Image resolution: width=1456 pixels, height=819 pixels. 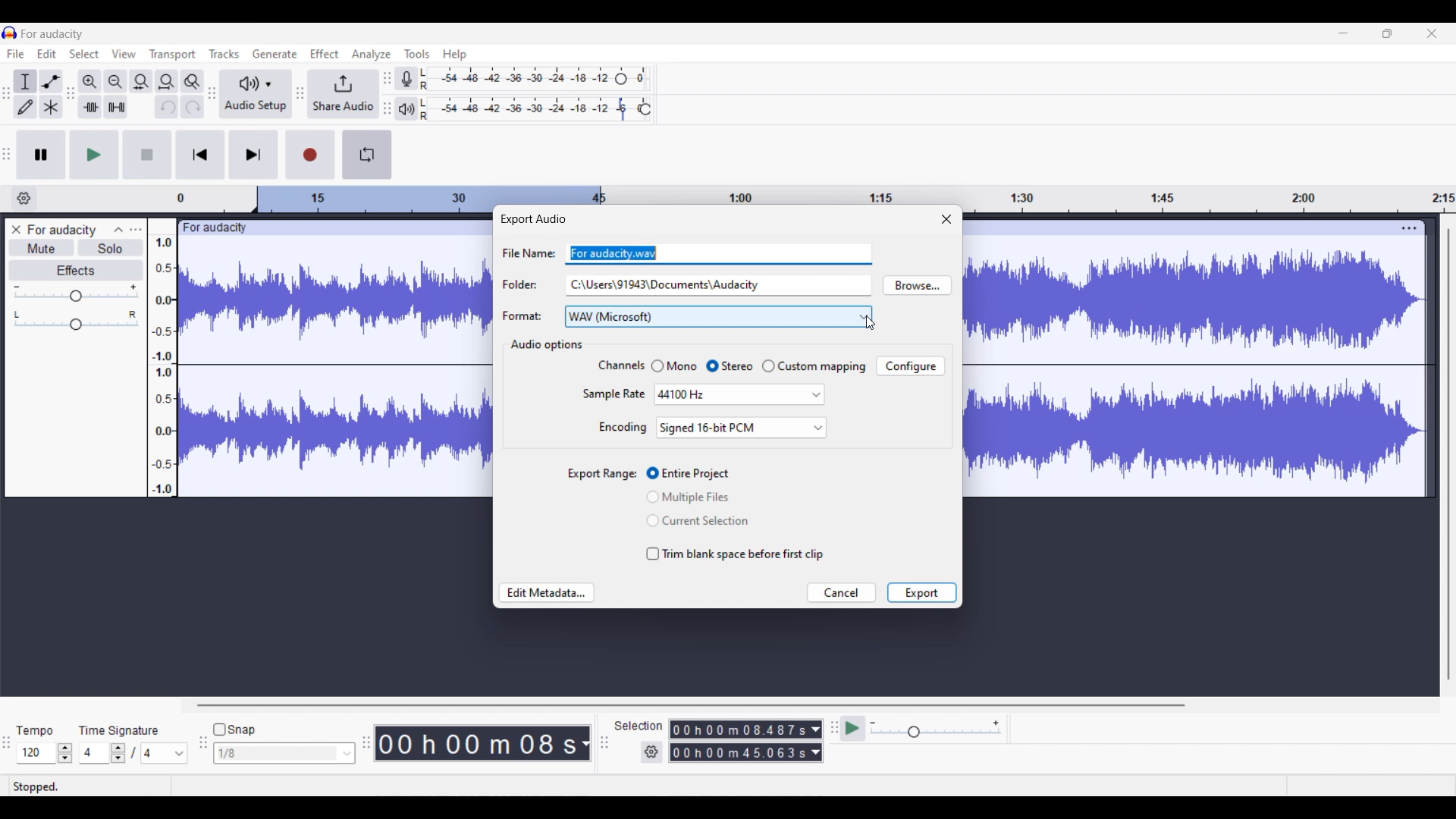 I want to click on Scale to measure length of track, so click(x=815, y=193).